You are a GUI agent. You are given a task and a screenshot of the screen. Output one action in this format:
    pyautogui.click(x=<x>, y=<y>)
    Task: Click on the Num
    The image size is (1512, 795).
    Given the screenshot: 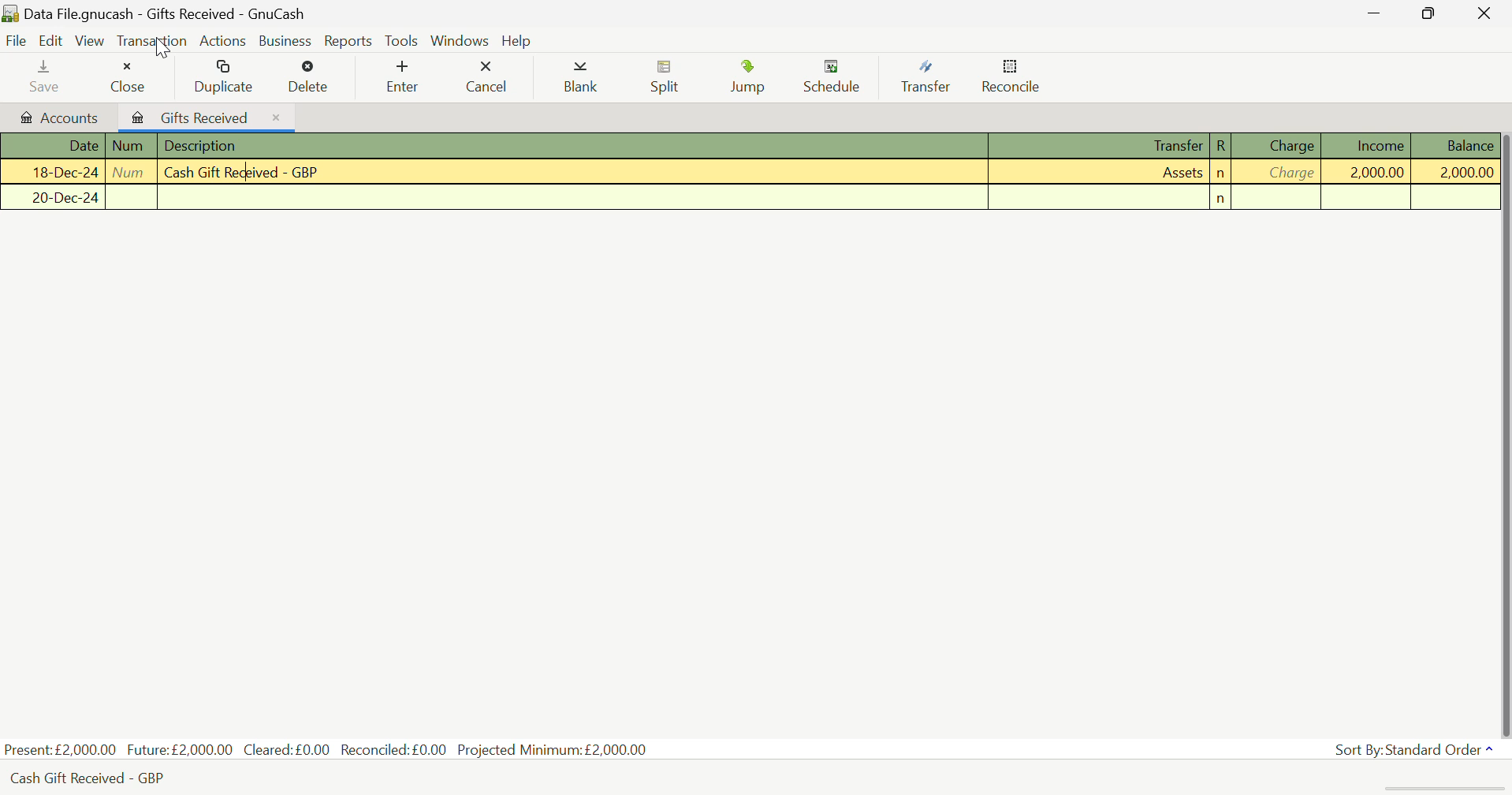 What is the action you would take?
    pyautogui.click(x=132, y=172)
    